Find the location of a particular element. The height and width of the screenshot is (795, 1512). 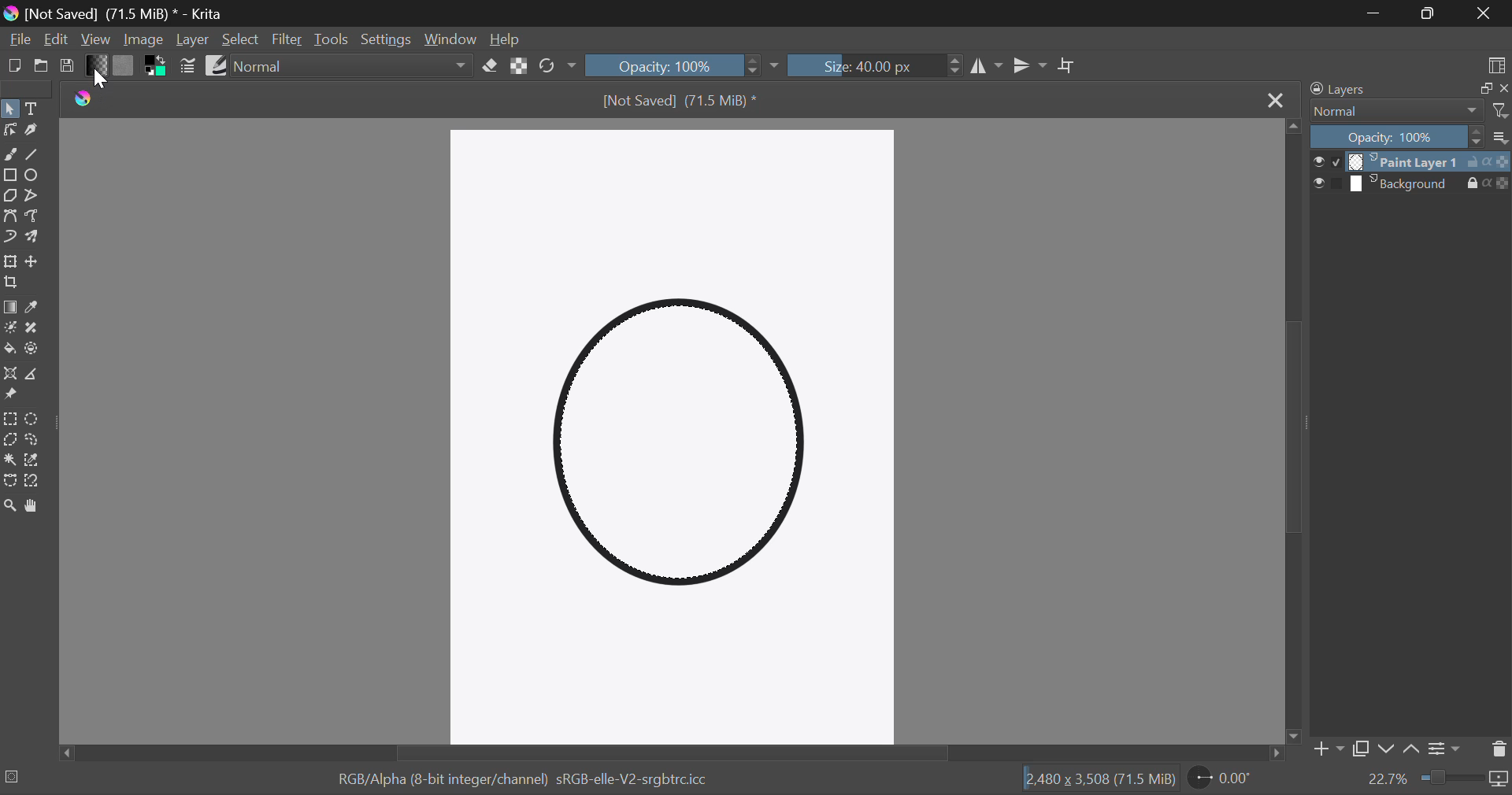

Dynamic Brush is located at coordinates (10, 238).